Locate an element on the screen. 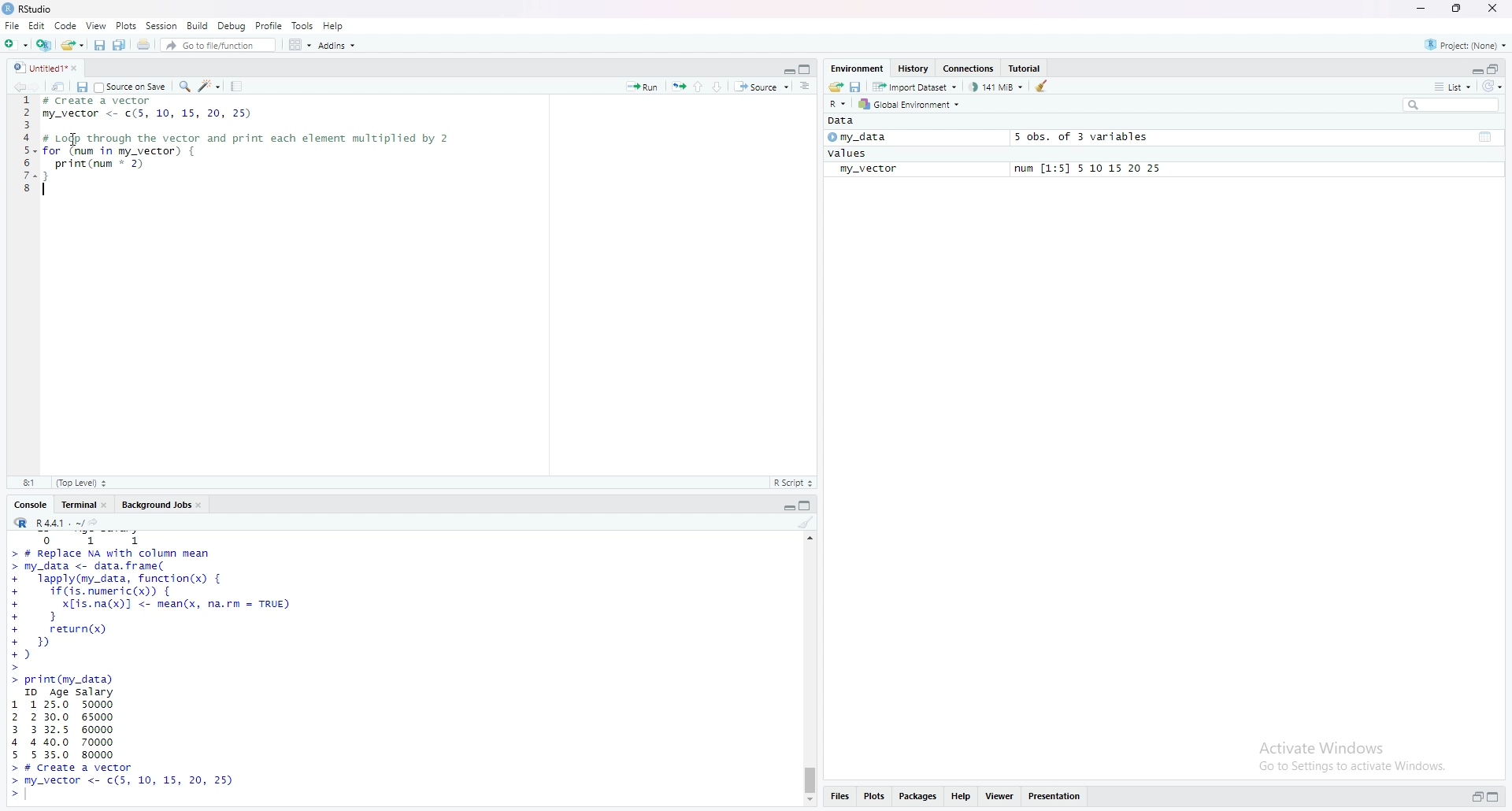  minimize is located at coordinates (1420, 9).